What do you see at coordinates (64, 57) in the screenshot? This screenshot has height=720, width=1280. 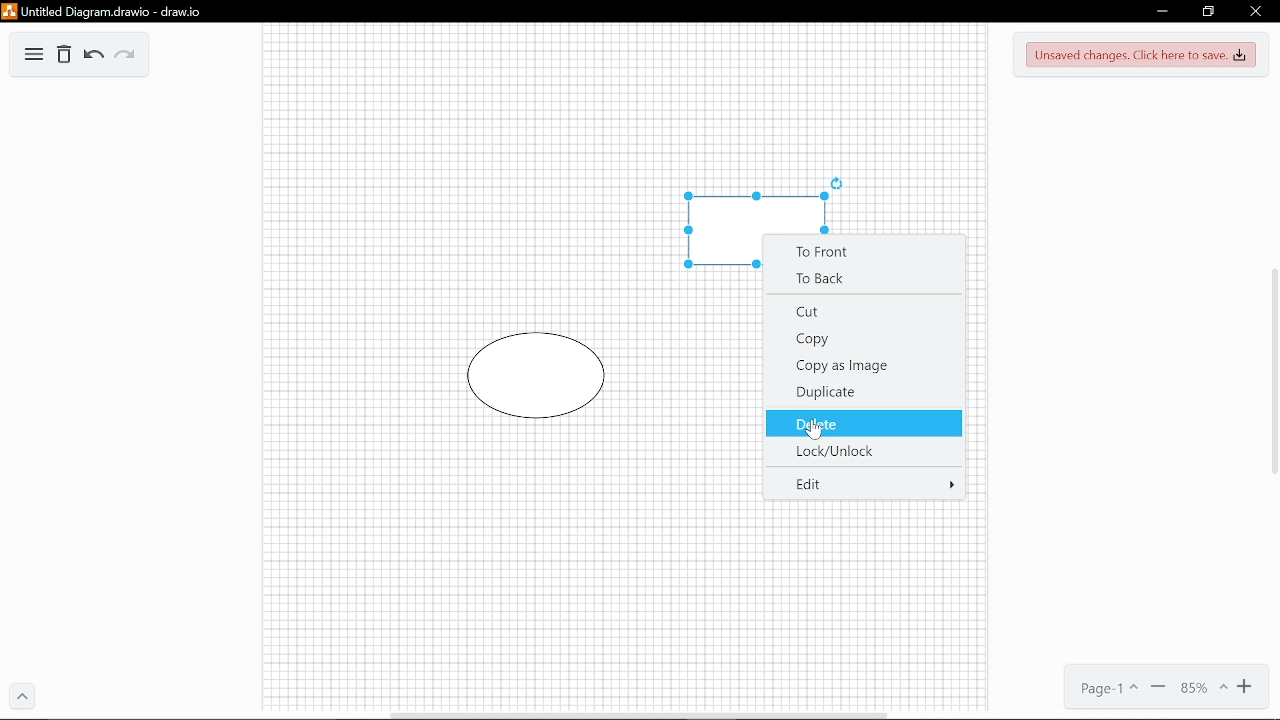 I see `Delete` at bounding box center [64, 57].